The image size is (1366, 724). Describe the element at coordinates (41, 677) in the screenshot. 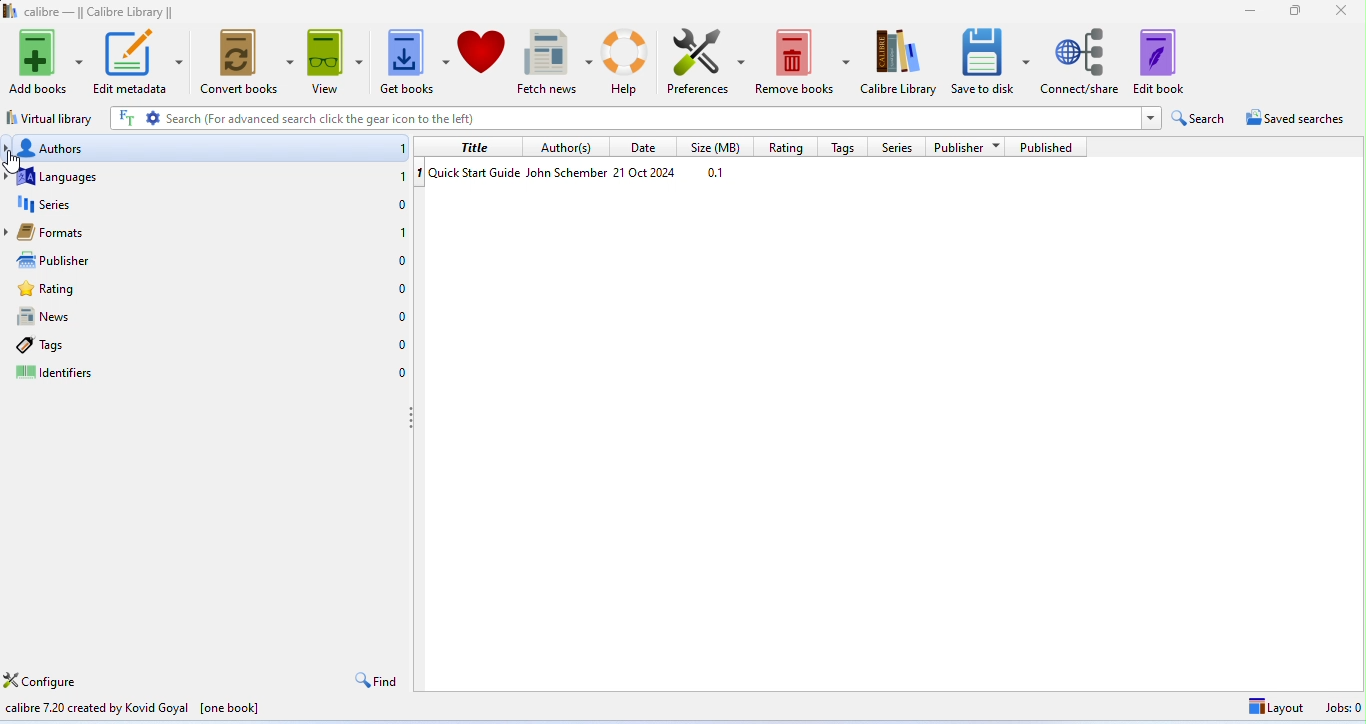

I see `configure` at that location.